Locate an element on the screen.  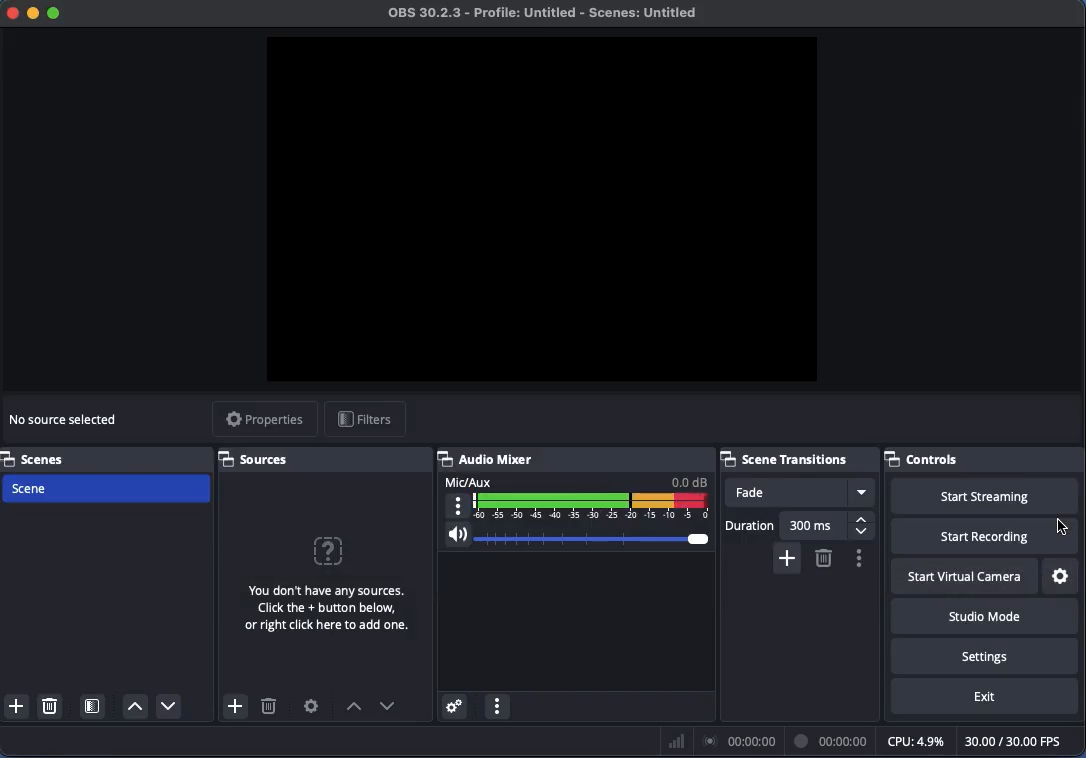
No source selected is located at coordinates (66, 421).